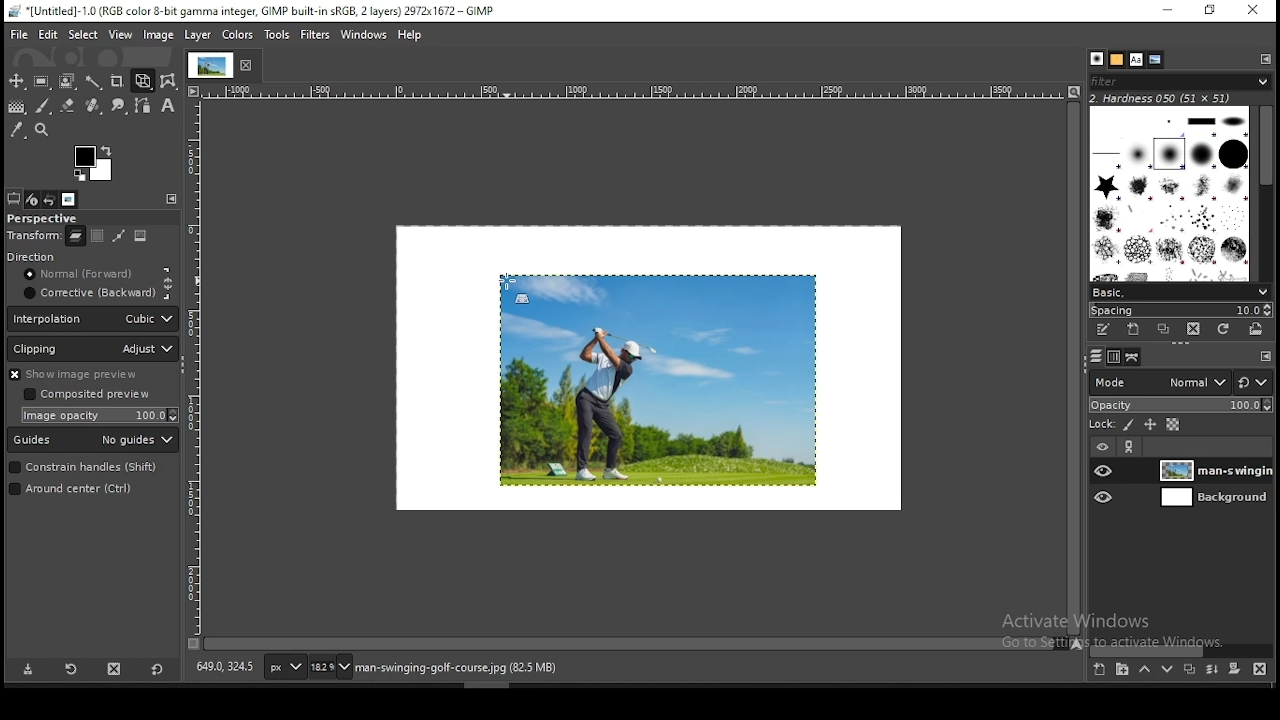  I want to click on windows, so click(361, 35).